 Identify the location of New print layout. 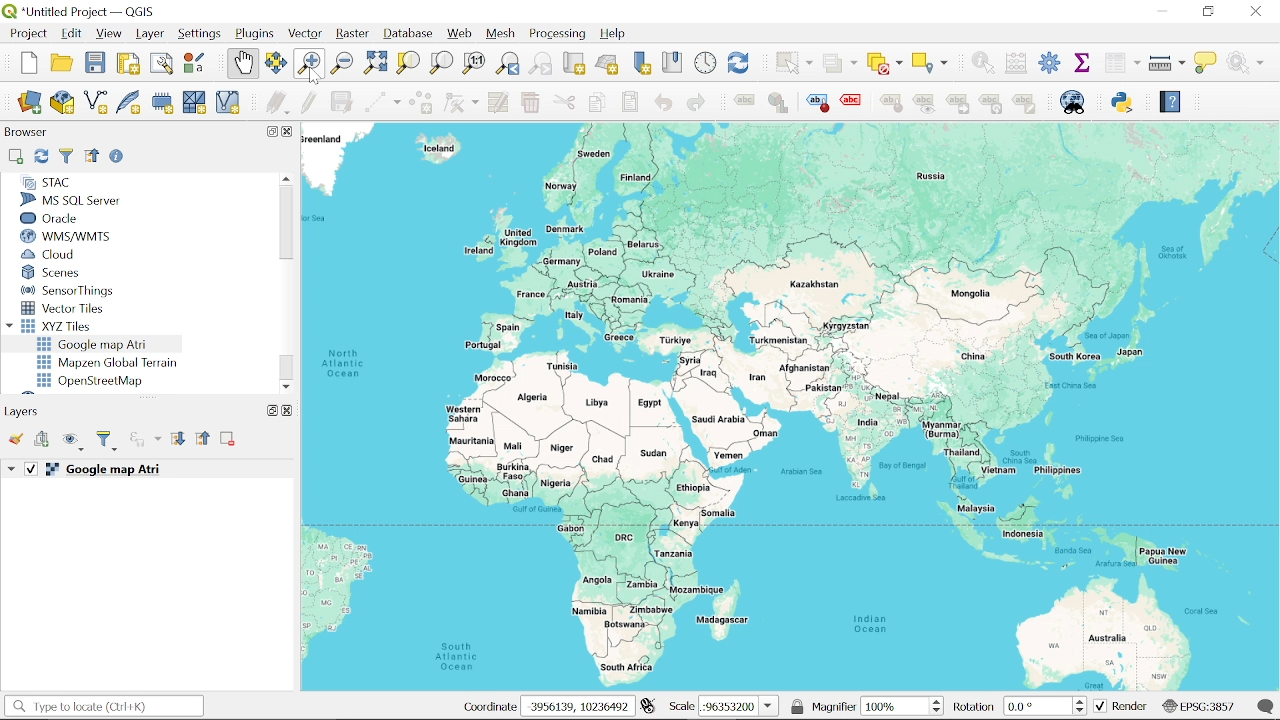
(126, 64).